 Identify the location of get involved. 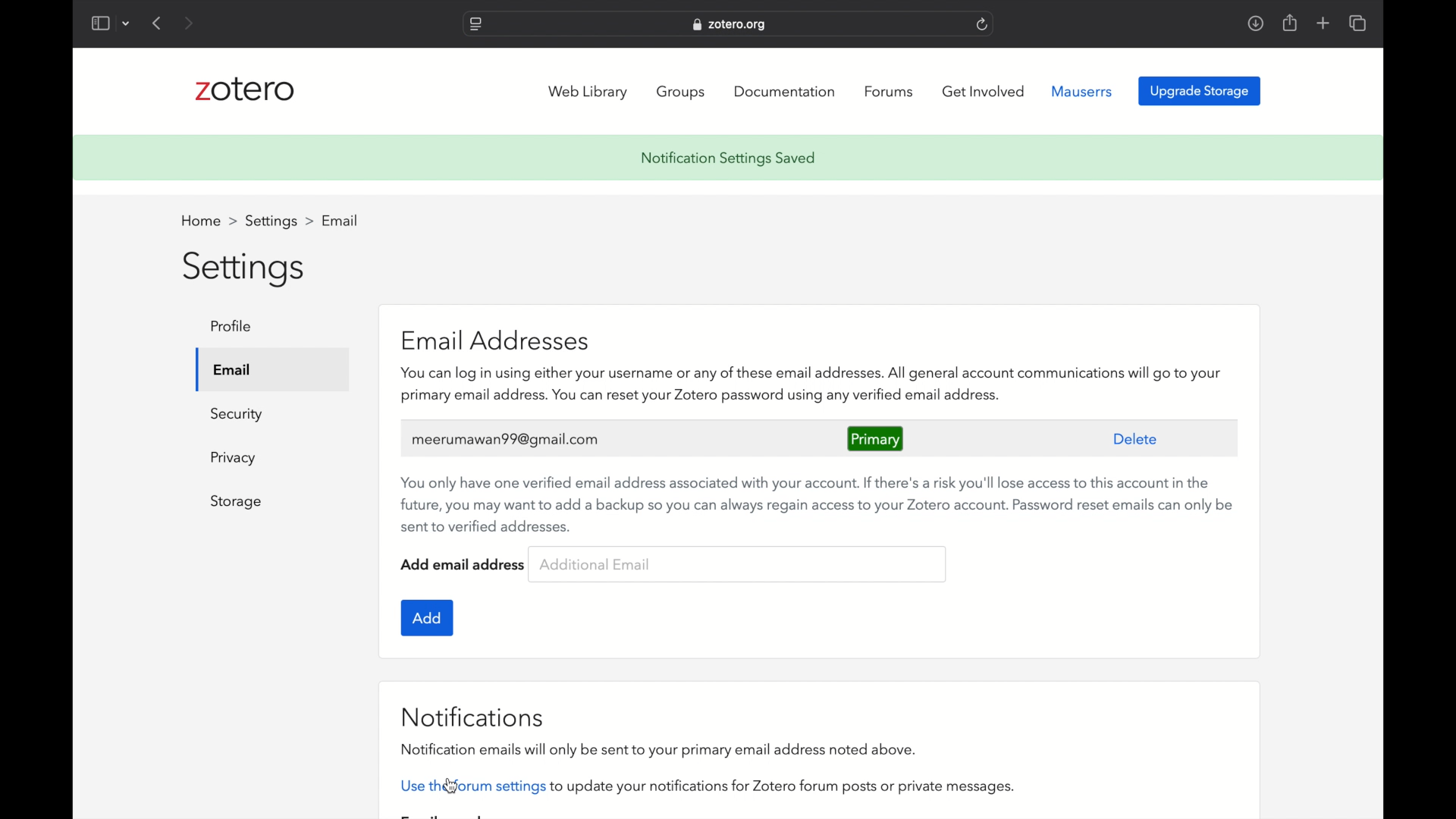
(984, 91).